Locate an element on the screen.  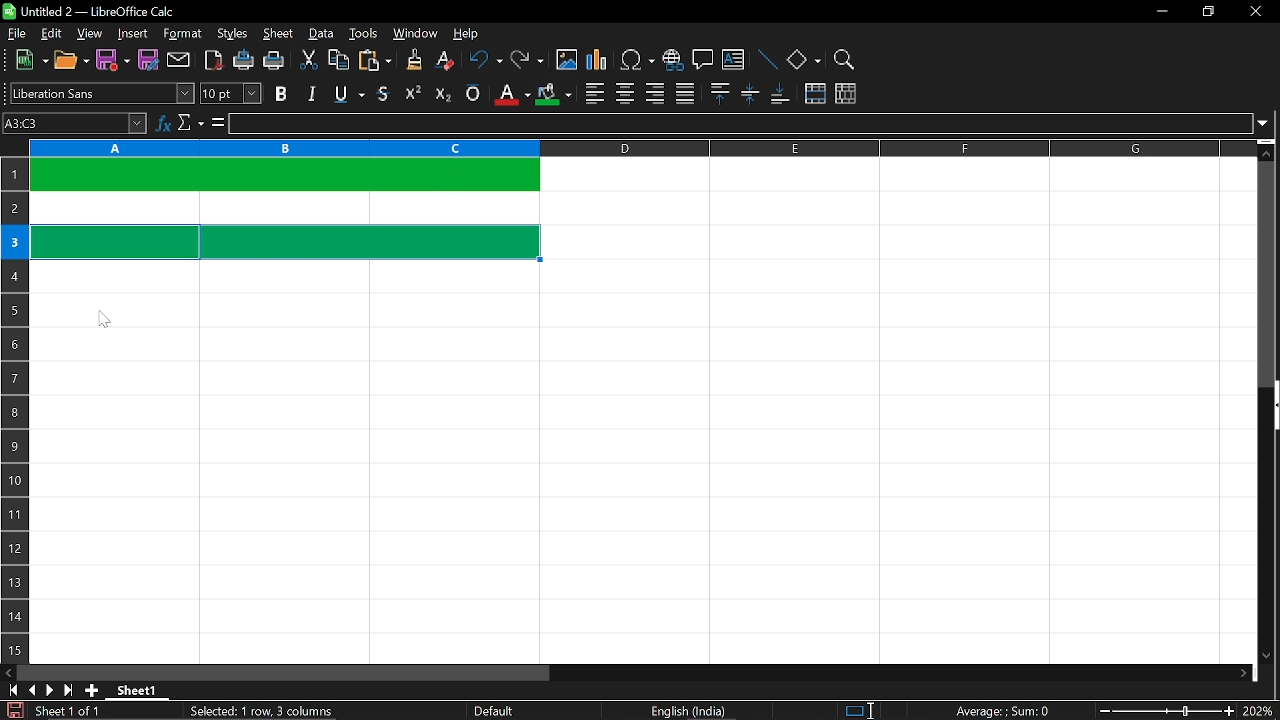
justified is located at coordinates (685, 92).